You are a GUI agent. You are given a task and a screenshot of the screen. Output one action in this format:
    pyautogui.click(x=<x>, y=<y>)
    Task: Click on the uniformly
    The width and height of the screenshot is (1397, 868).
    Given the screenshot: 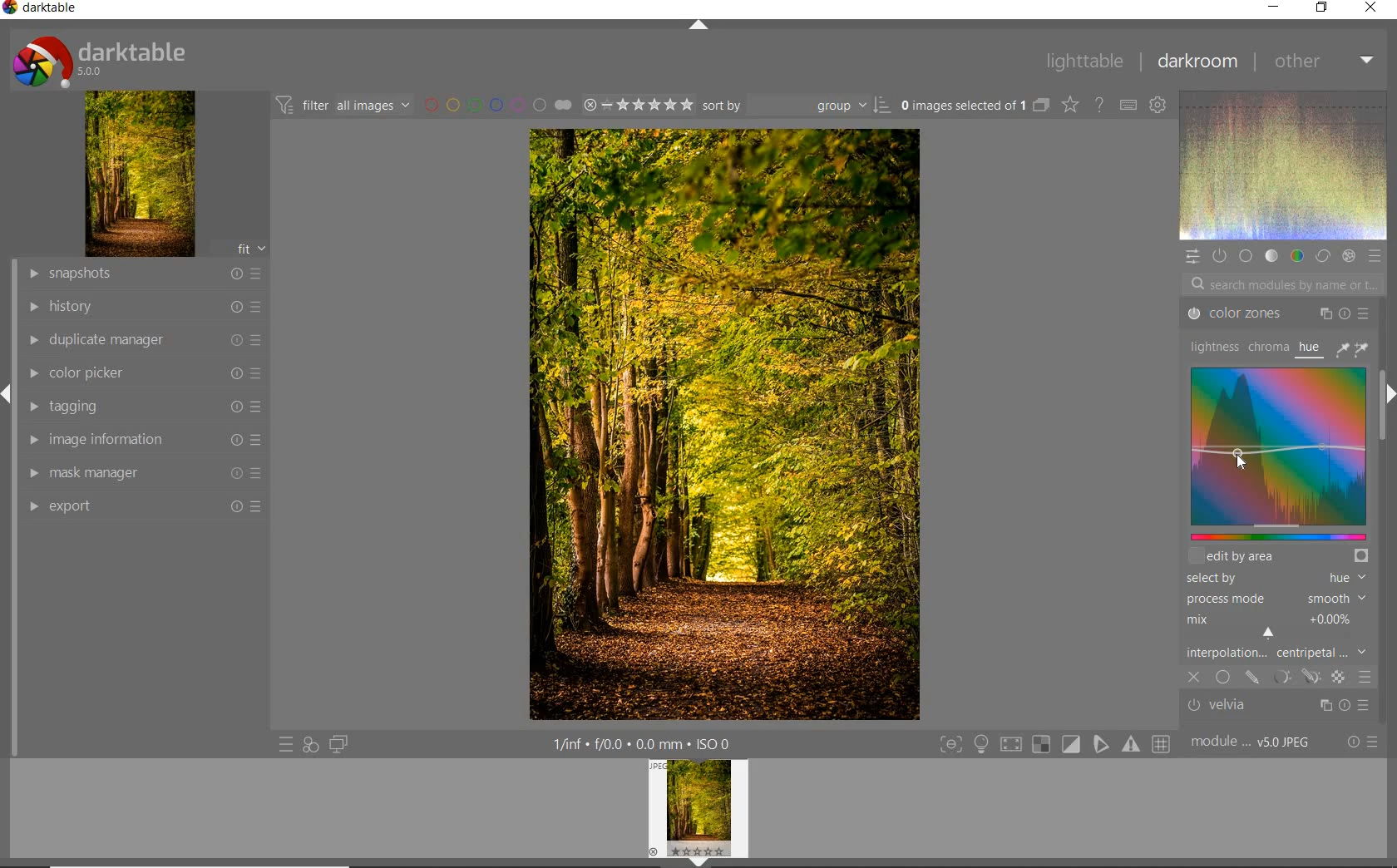 What is the action you would take?
    pyautogui.click(x=1222, y=678)
    